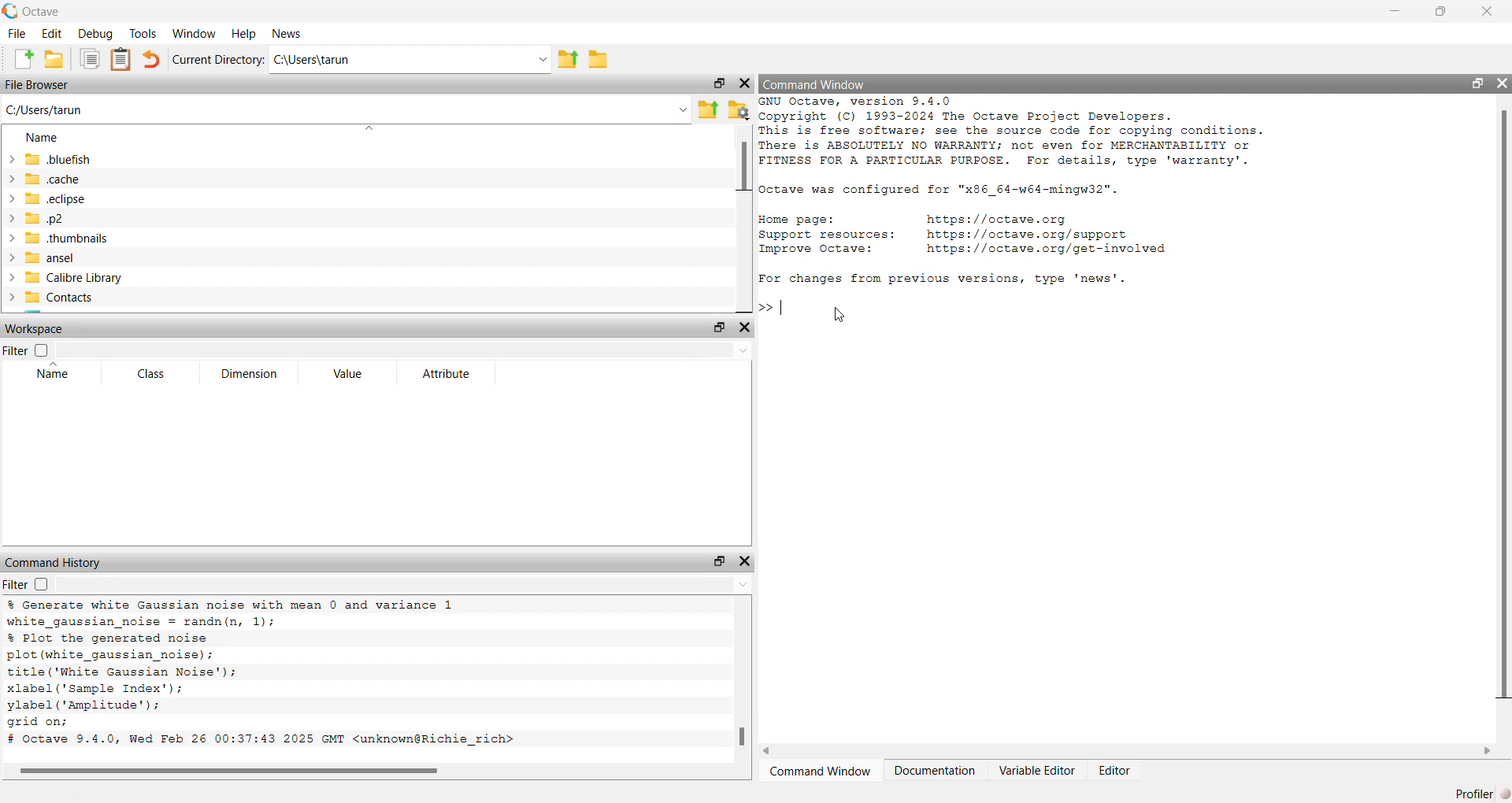 The image size is (1512, 803). What do you see at coordinates (1047, 194) in the screenshot?
I see `GNU Octave, version 9.4.0

Copyright (C) 1993-2024 The Octave Project Developers.

This is free software; see the source code for copying conditions.
There is ABSOLUTELY NO WARRANTY; not even for MERCHANTABILITY or
FITNESS FOR A PARTICULAR PURPOSE. For details, type 'warranty'.
Octave was configured for "x86_64-w64-mingw32".

Home page: https://octave.org

Support resources:  https://octave.org/support

Improve Octave: https://octave.org/get-involved

For changes from previous versions, type 'news'.` at bounding box center [1047, 194].